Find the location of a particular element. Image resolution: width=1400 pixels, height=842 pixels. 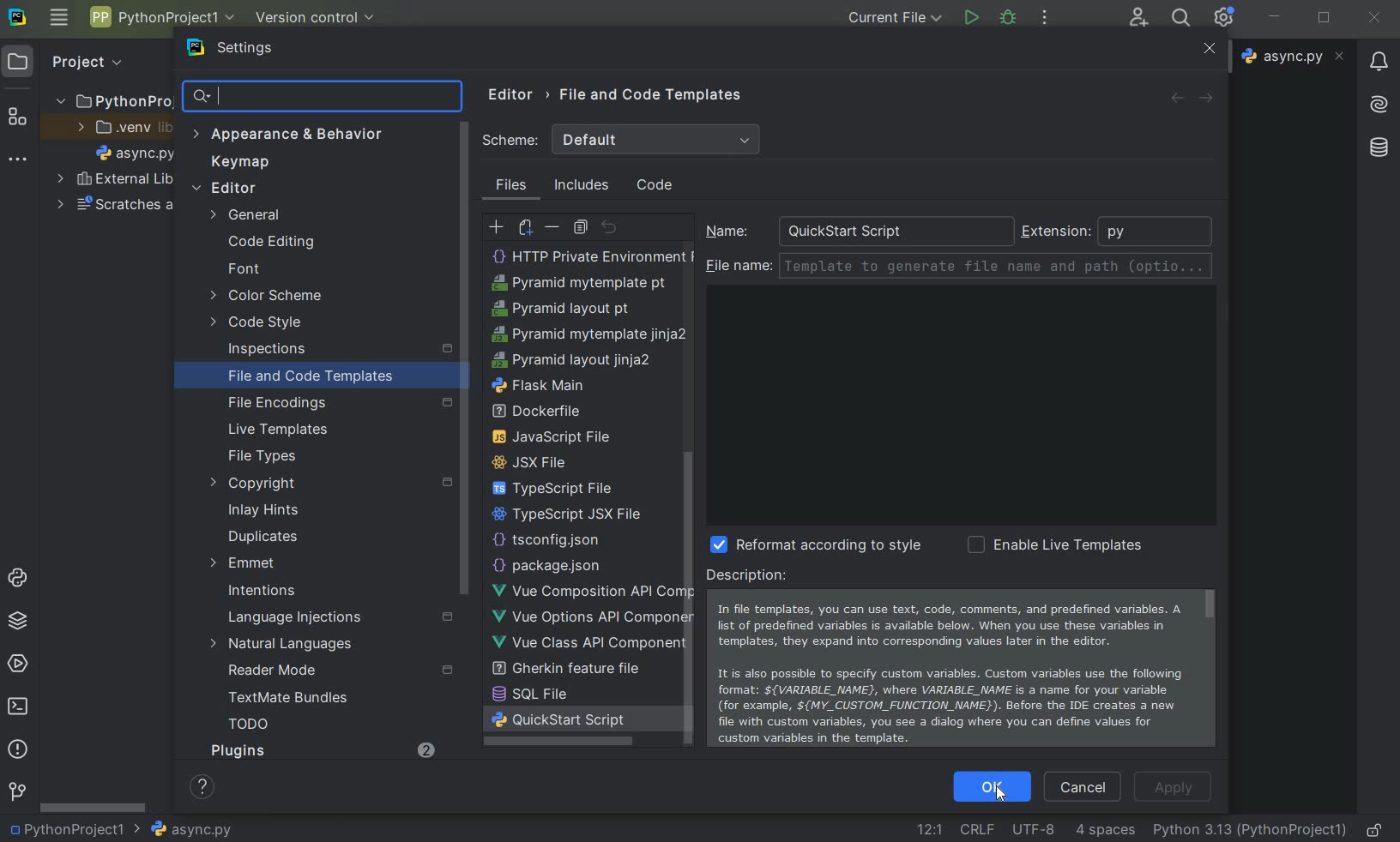

code with me is located at coordinates (1138, 19).